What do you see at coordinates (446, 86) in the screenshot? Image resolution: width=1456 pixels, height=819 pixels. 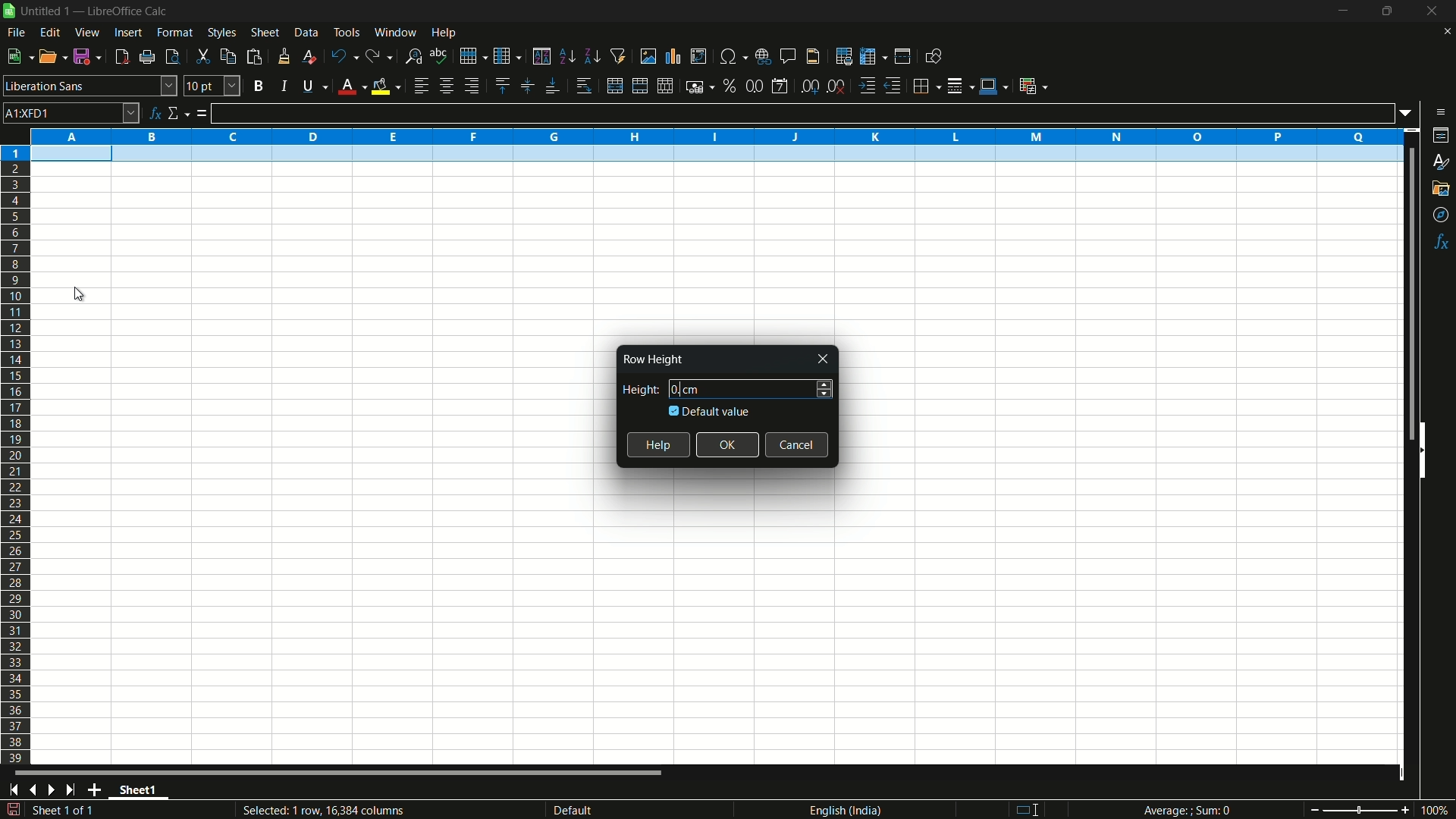 I see `align center` at bounding box center [446, 86].